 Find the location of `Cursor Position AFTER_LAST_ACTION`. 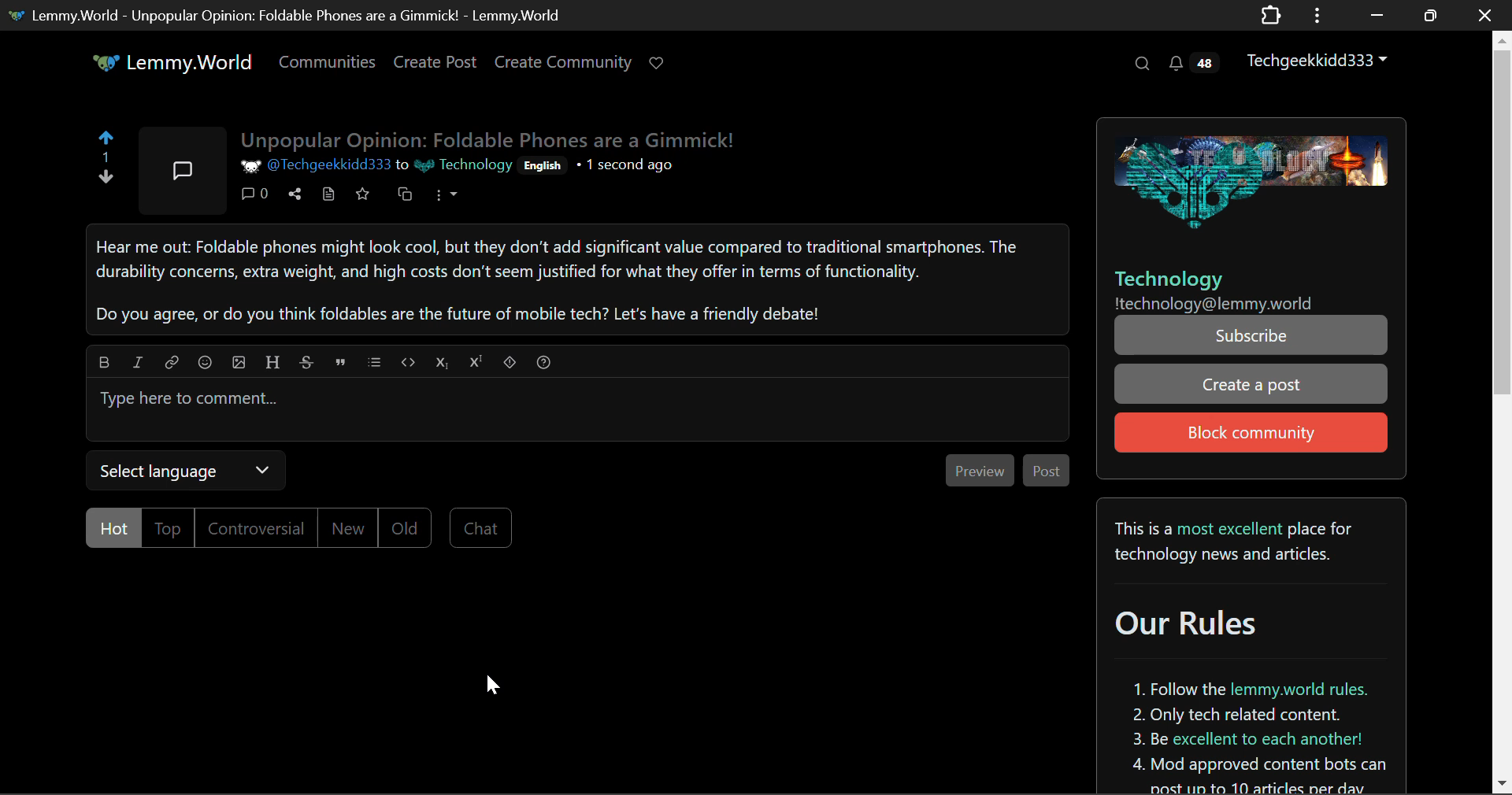

Cursor Position AFTER_LAST_ACTION is located at coordinates (495, 686).